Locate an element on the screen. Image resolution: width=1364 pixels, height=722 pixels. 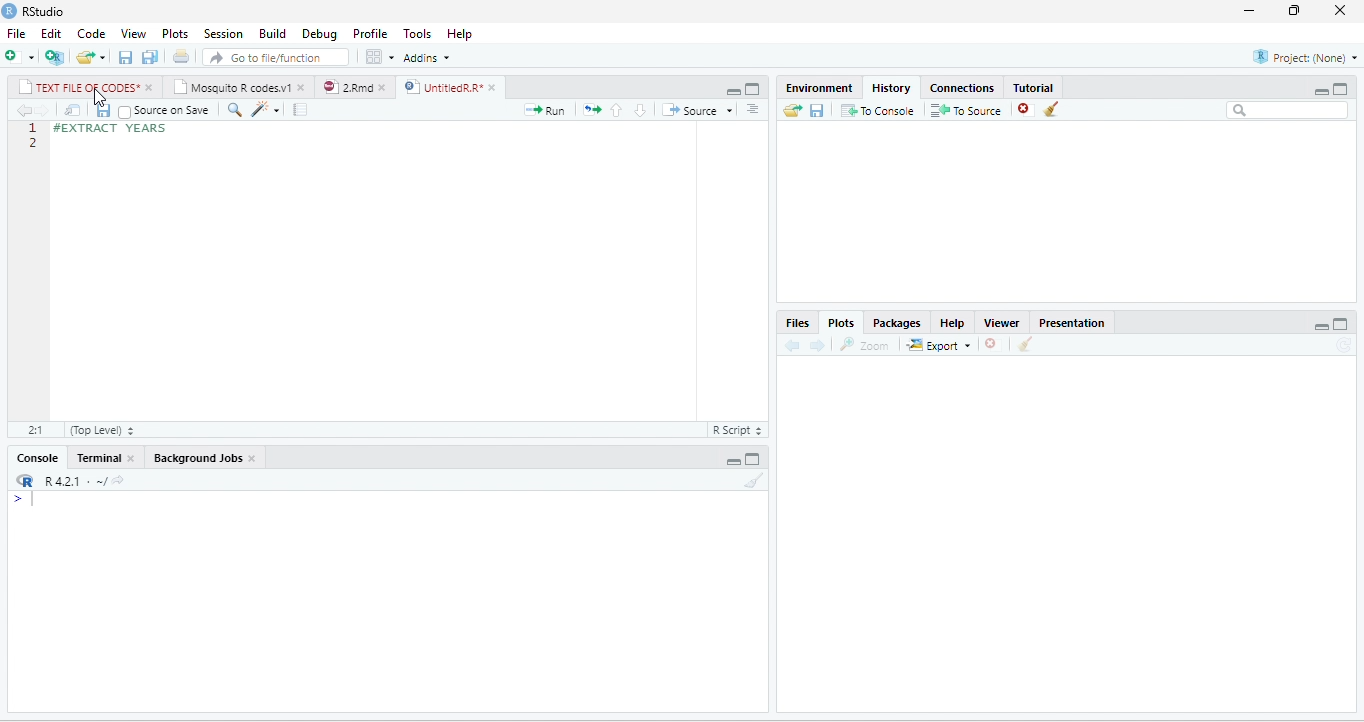
resize is located at coordinates (1294, 11).